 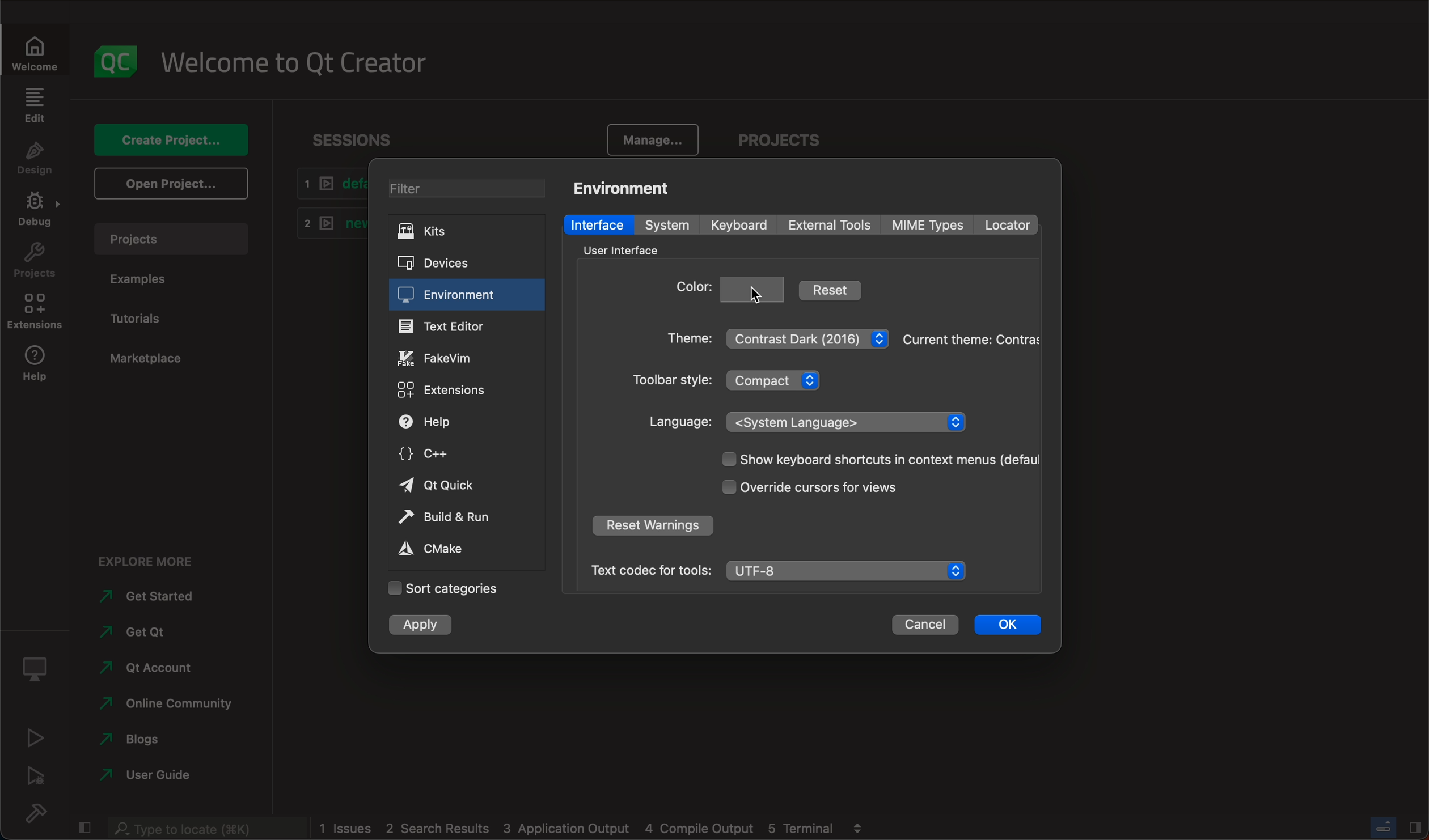 I want to click on run, so click(x=37, y=736).